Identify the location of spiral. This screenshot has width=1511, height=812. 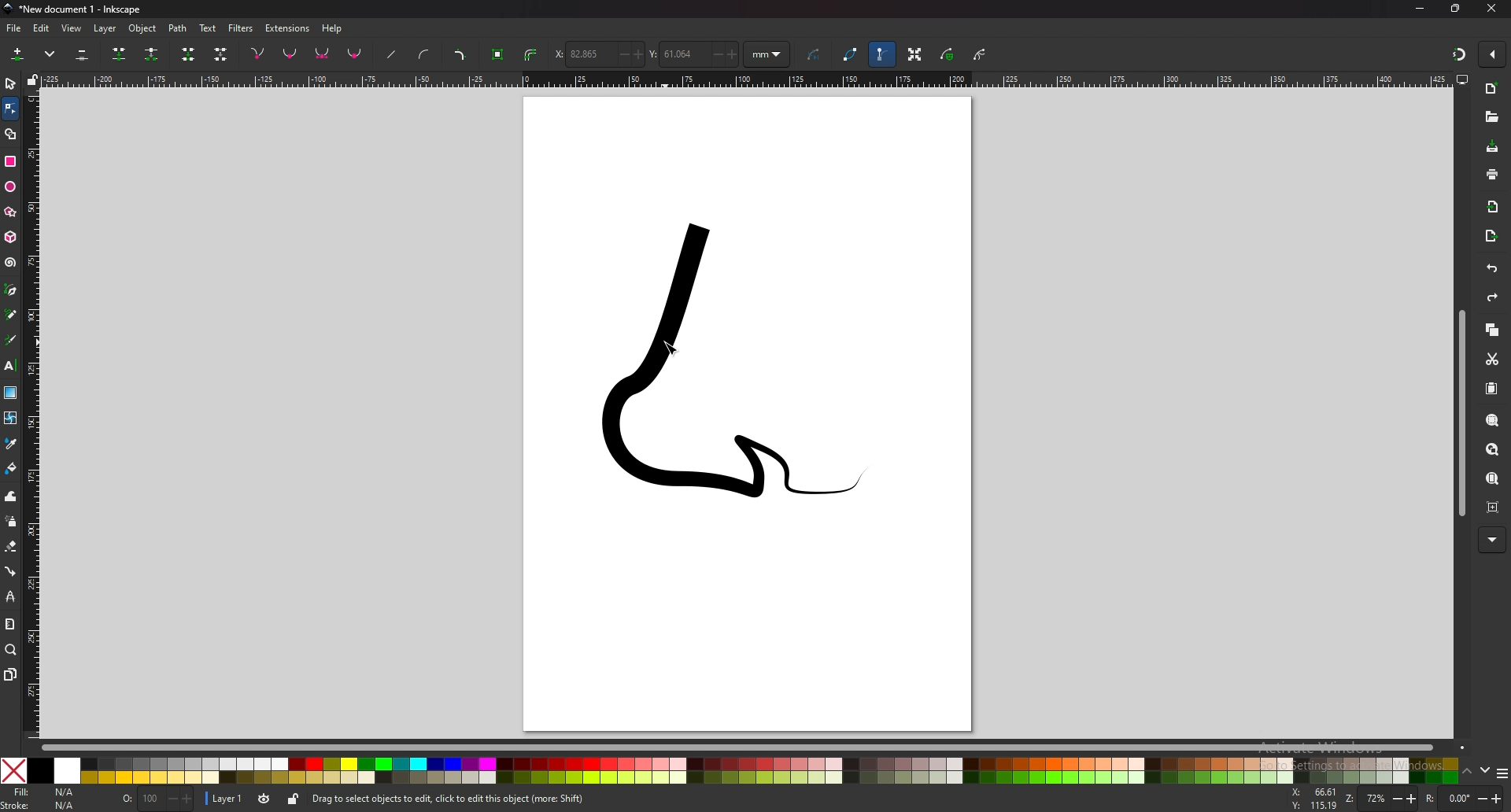
(9, 263).